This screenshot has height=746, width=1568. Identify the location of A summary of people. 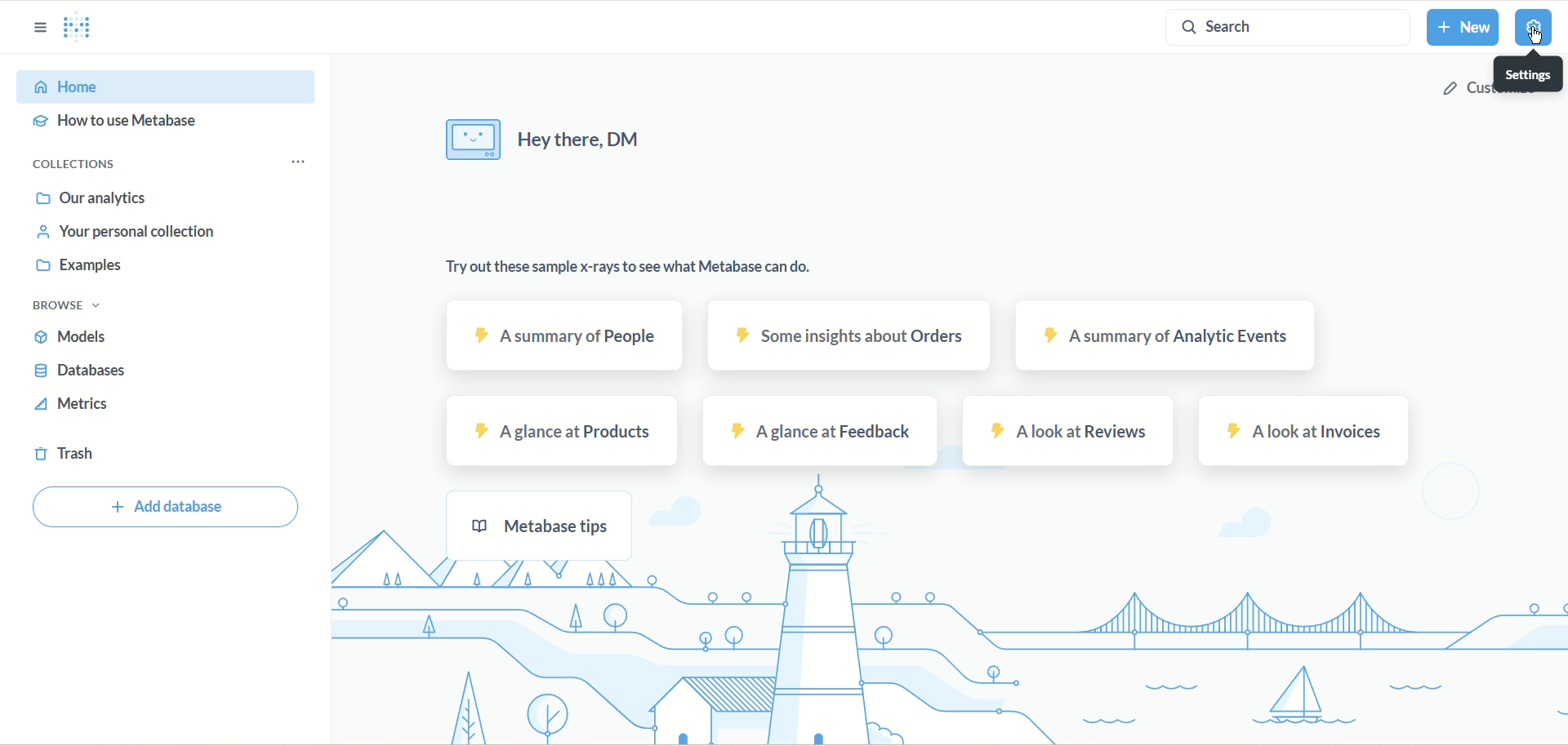
(568, 337).